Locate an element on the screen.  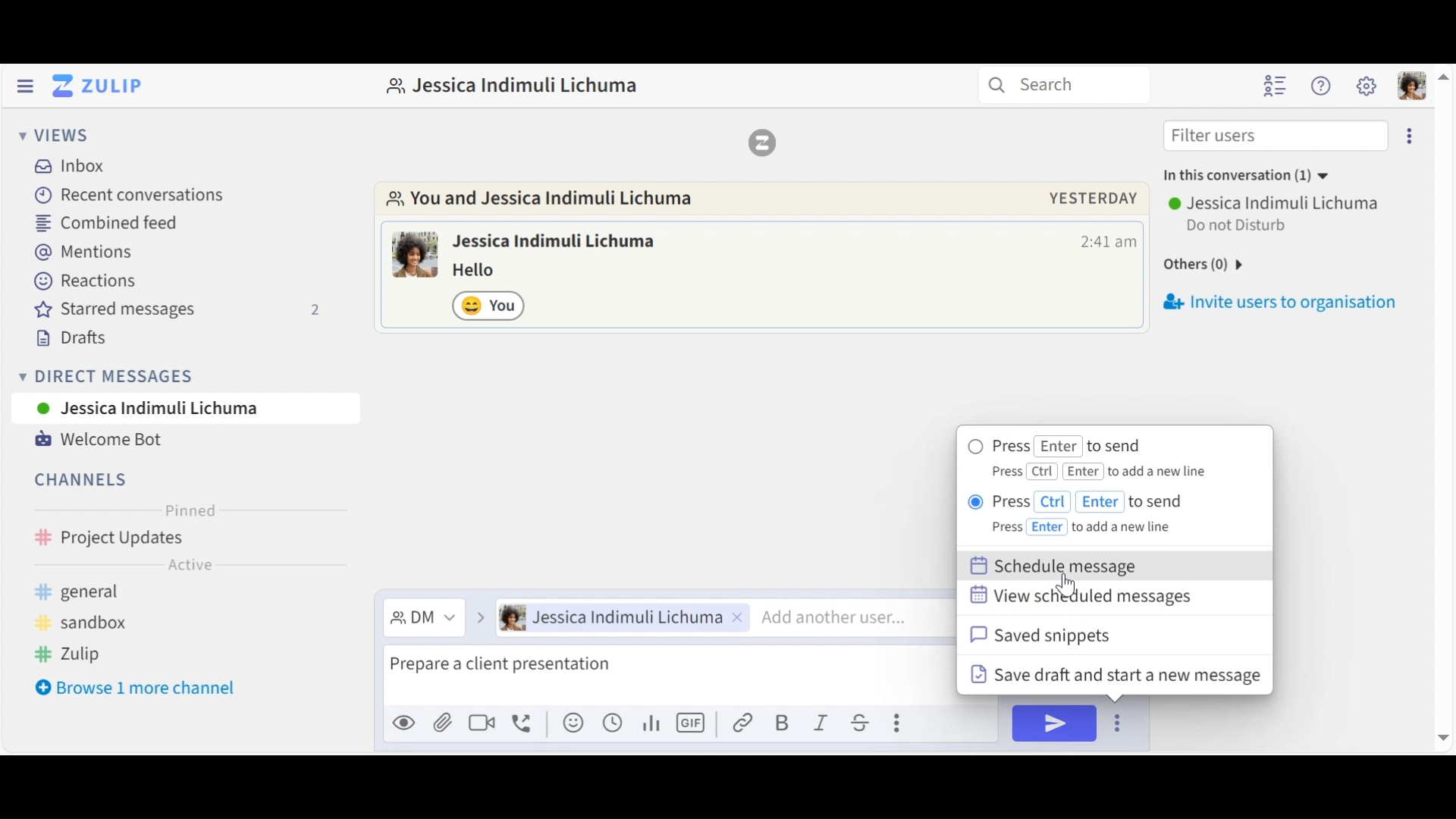
Add Video call is located at coordinates (485, 723).